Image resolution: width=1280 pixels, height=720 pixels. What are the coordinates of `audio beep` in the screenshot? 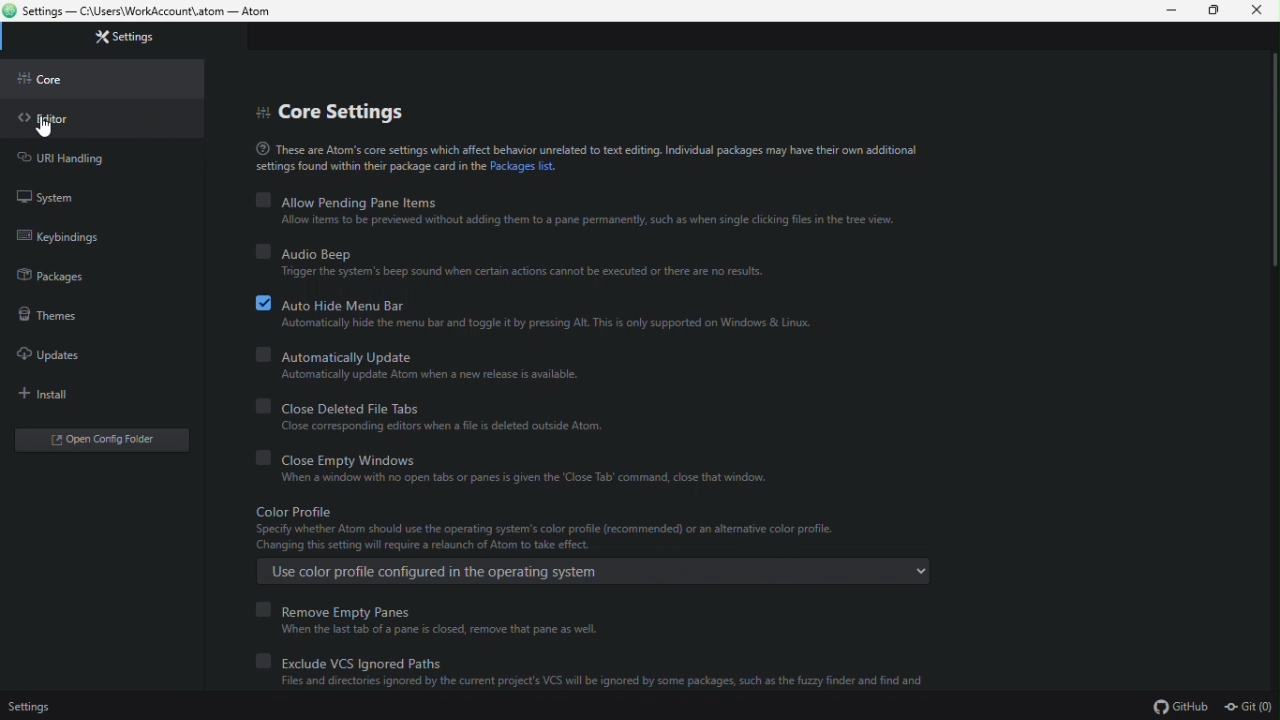 It's located at (587, 251).